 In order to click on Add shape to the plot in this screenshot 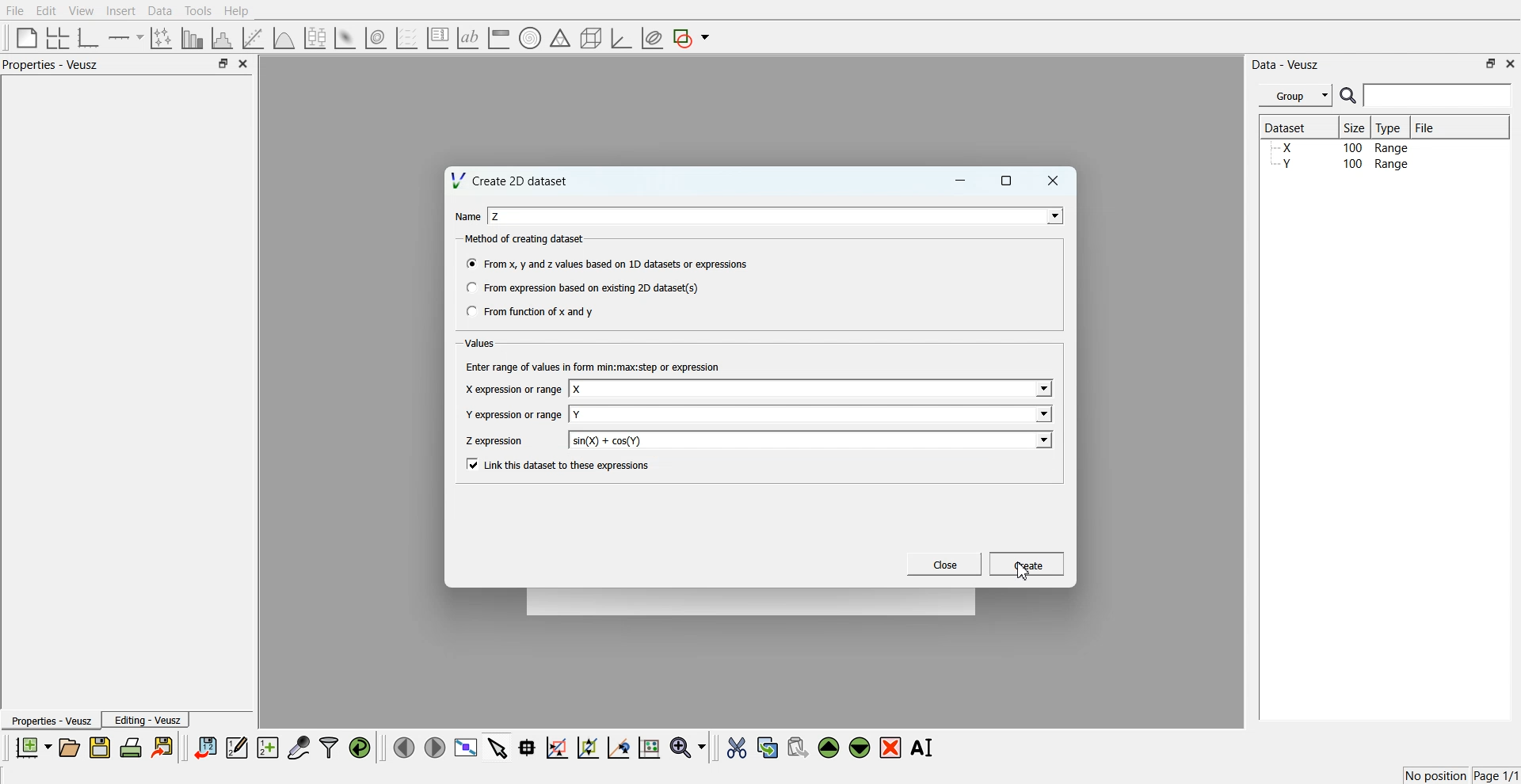, I will do `click(691, 38)`.